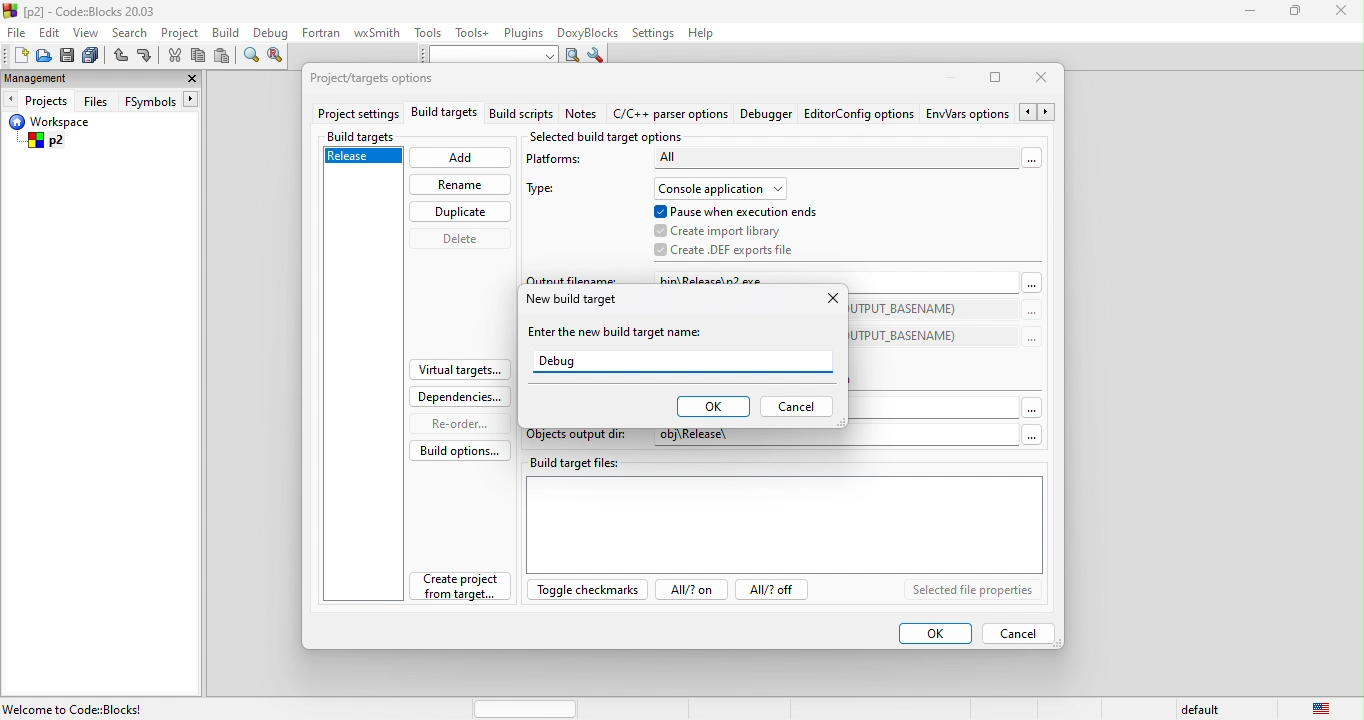 The image size is (1364, 720). I want to click on horizontal scroll bar, so click(528, 708).